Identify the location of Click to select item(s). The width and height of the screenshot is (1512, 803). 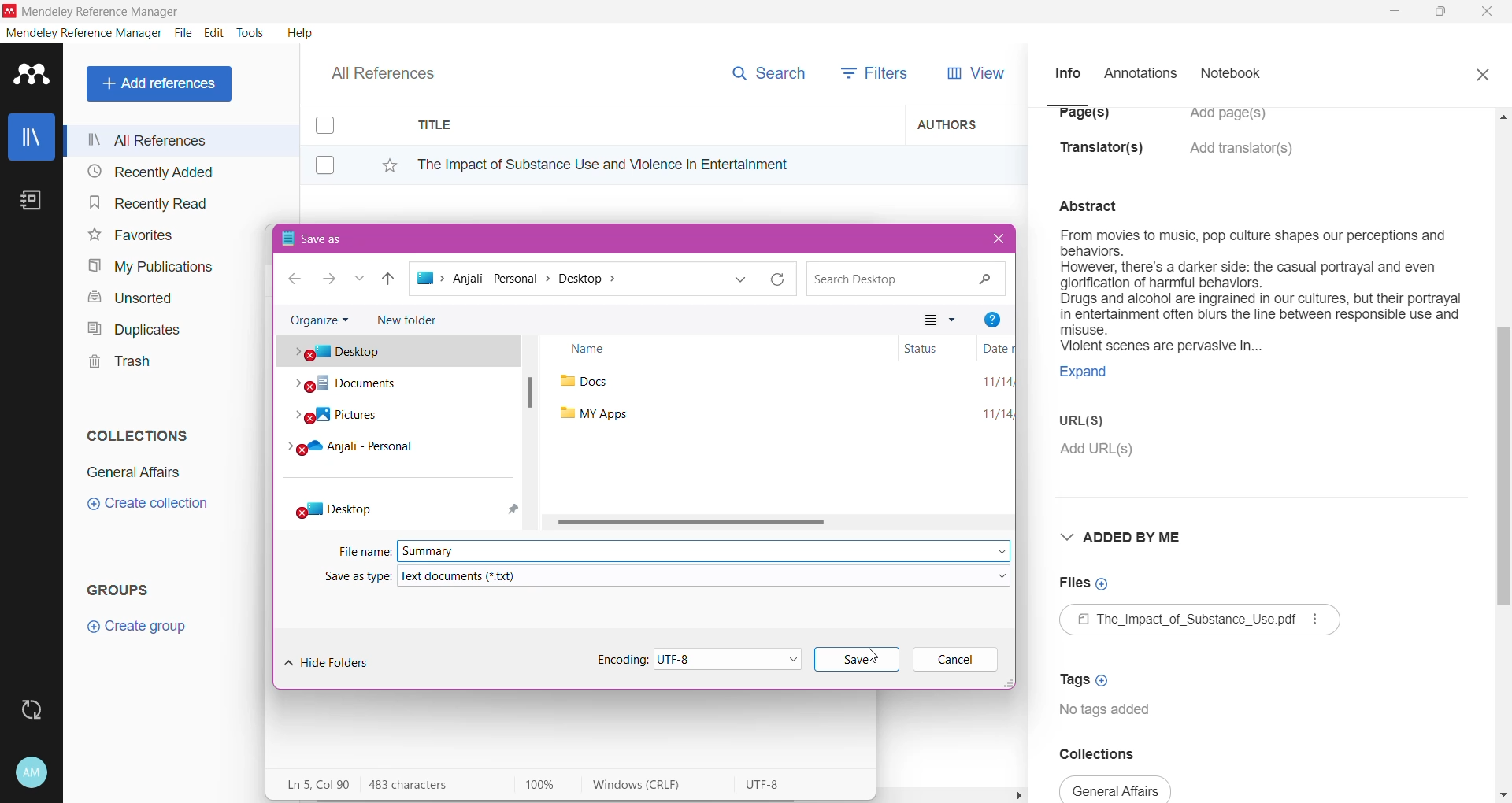
(333, 144).